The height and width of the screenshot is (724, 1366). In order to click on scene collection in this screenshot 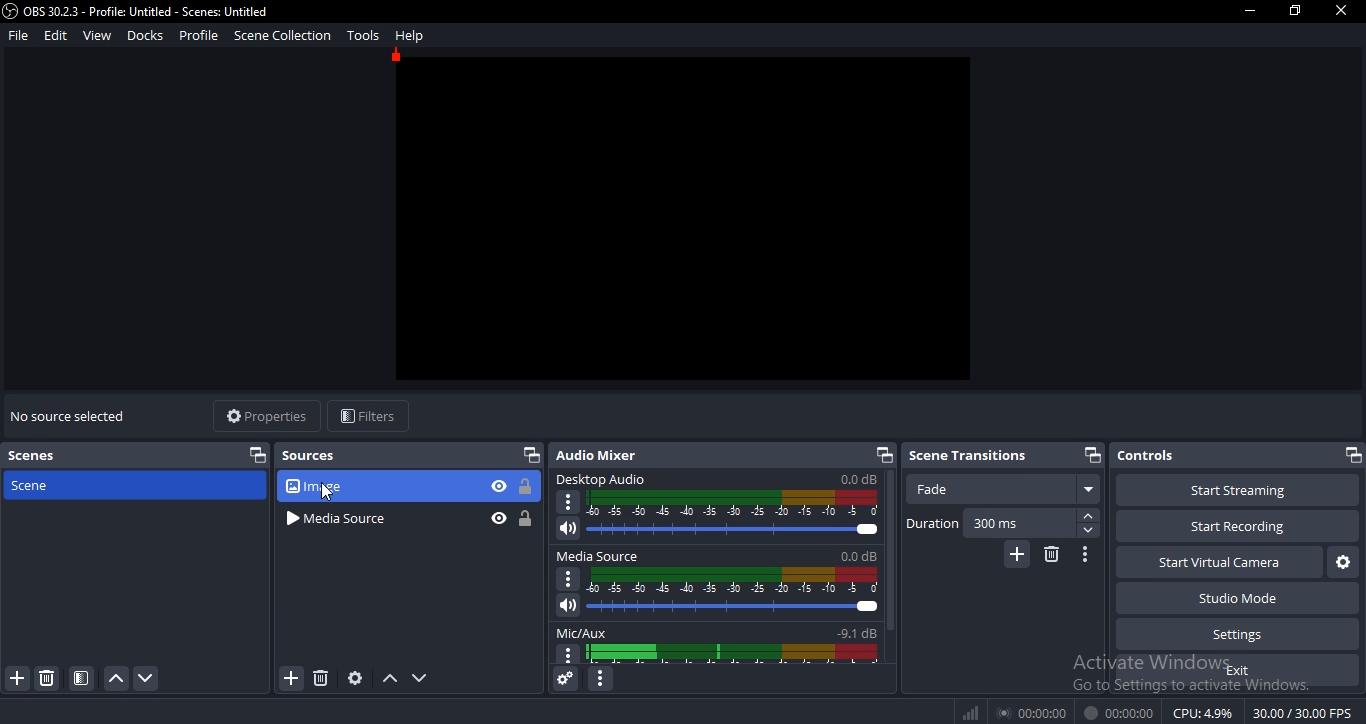, I will do `click(281, 35)`.